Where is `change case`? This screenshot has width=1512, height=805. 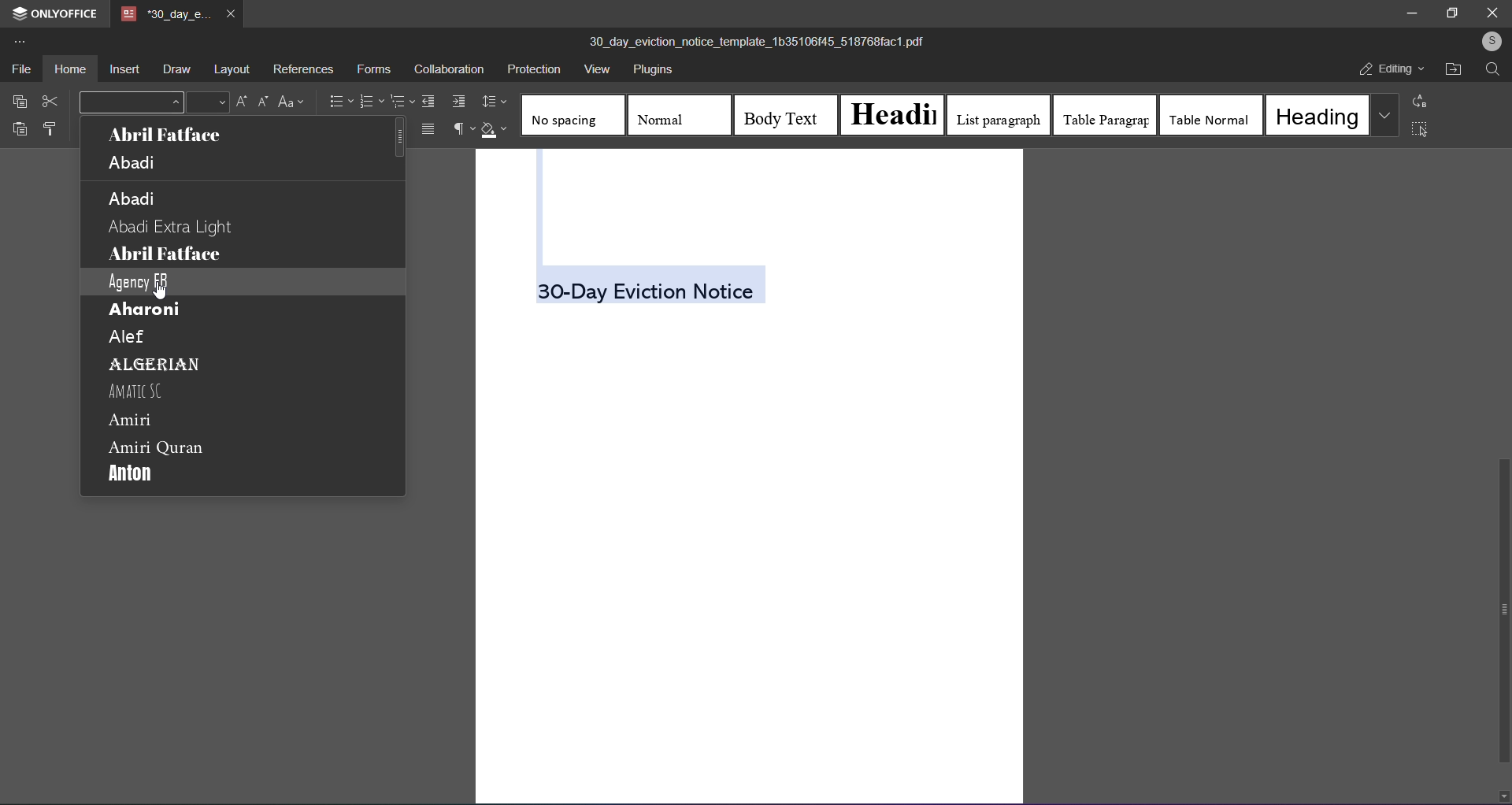 change case is located at coordinates (293, 102).